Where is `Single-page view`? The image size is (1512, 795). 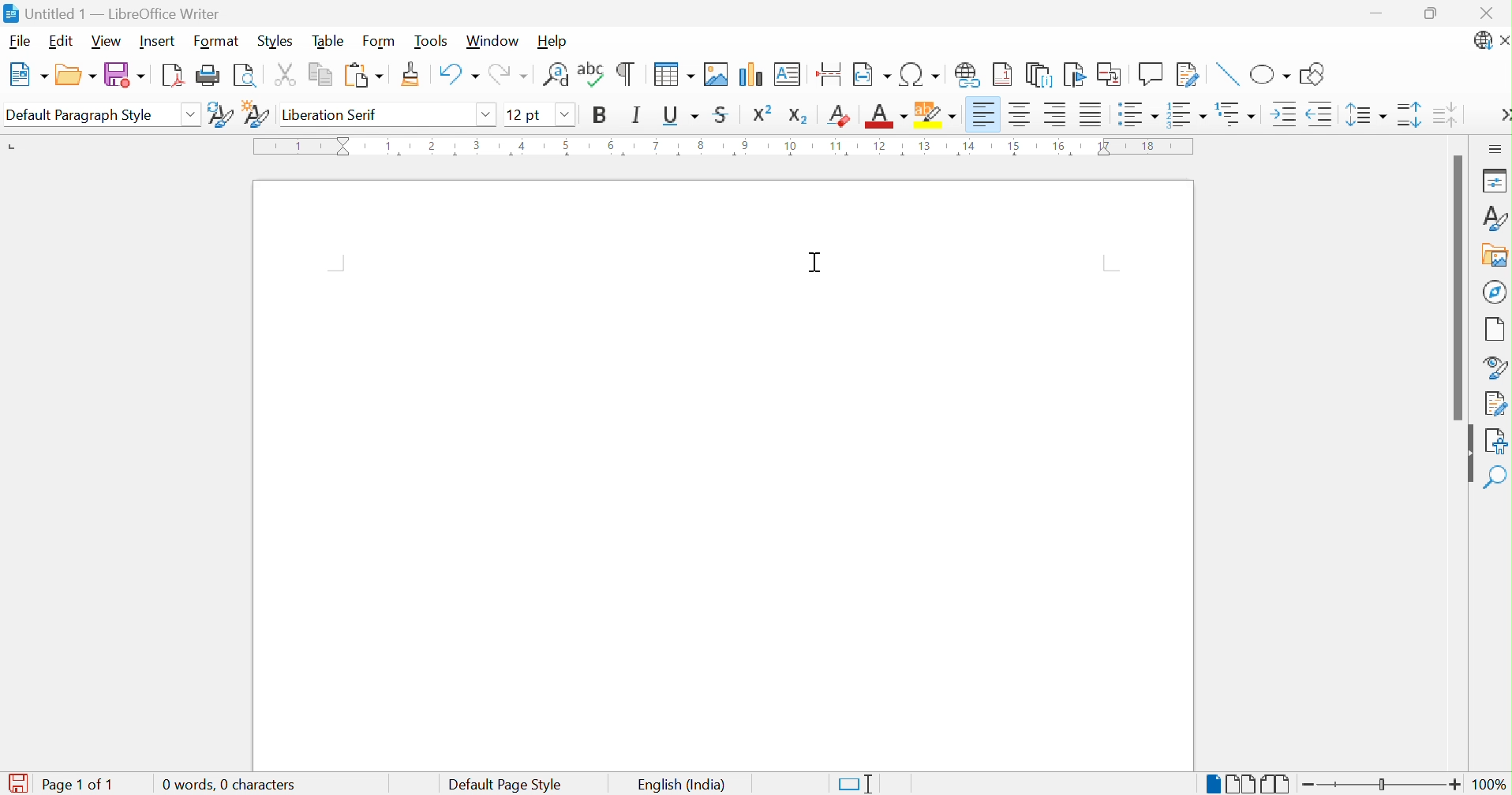
Single-page view is located at coordinates (1214, 785).